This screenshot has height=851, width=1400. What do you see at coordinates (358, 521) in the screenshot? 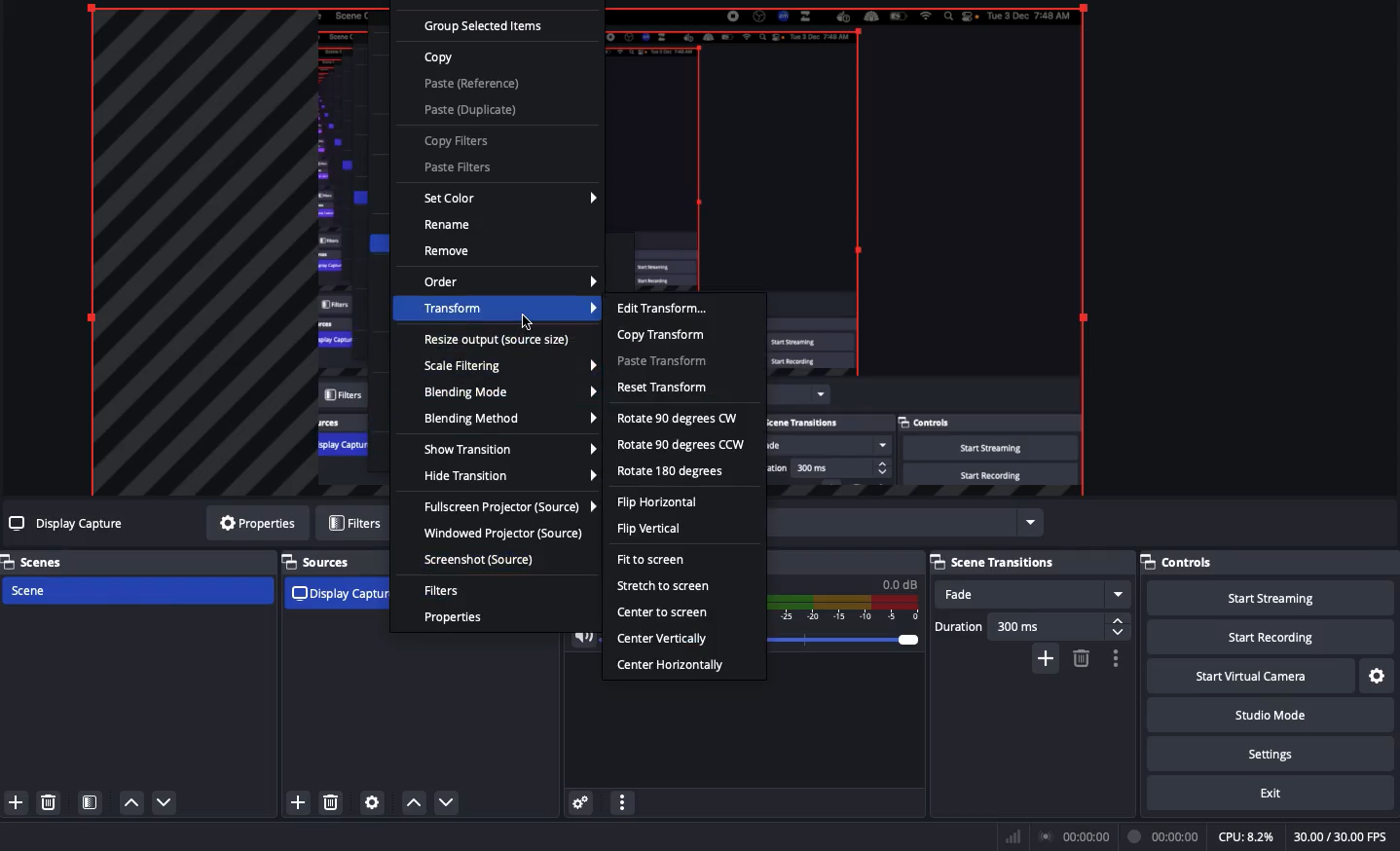
I see `Filters` at bounding box center [358, 521].